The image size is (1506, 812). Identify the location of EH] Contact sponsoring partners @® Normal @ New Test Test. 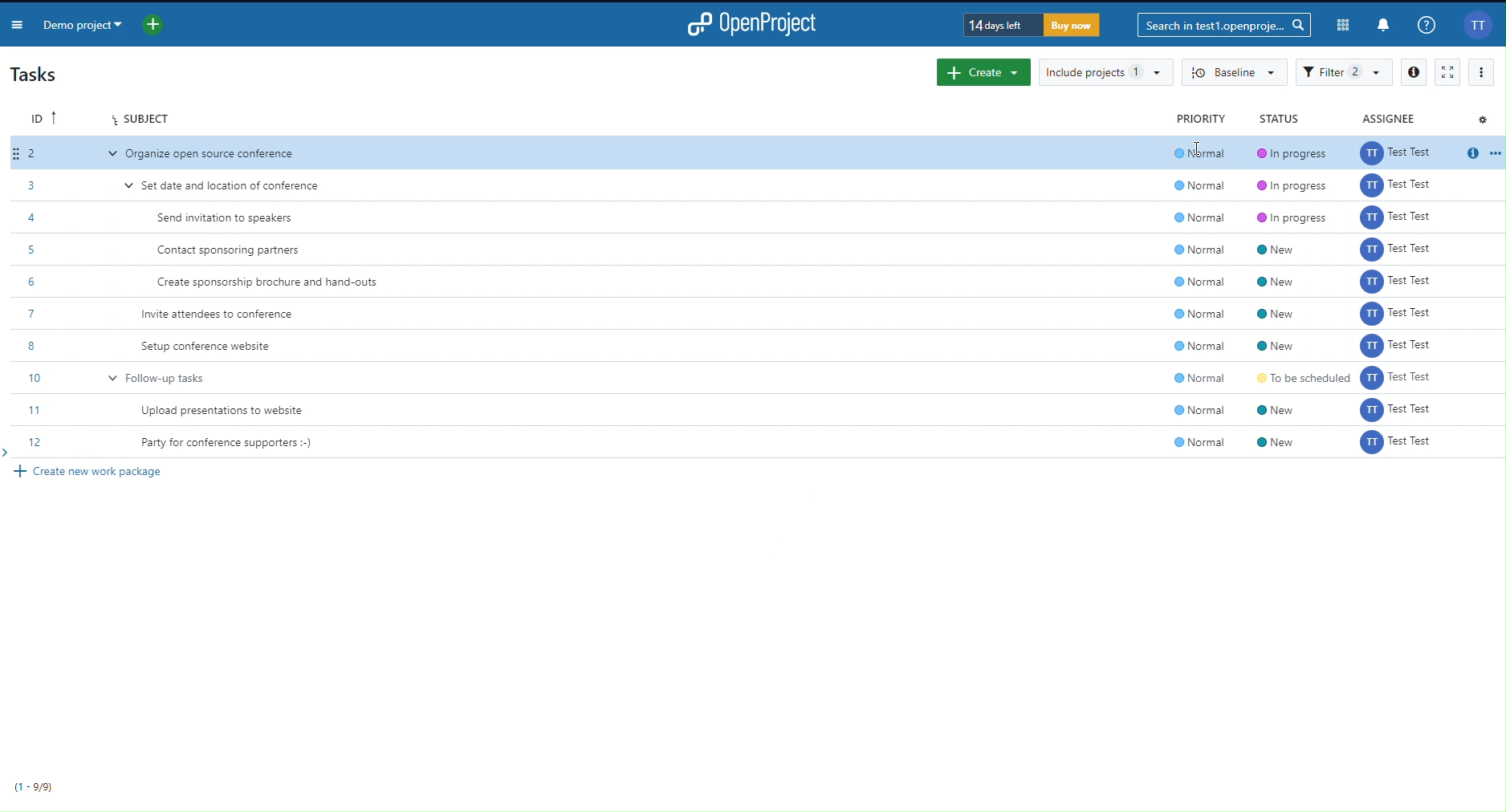
(757, 251).